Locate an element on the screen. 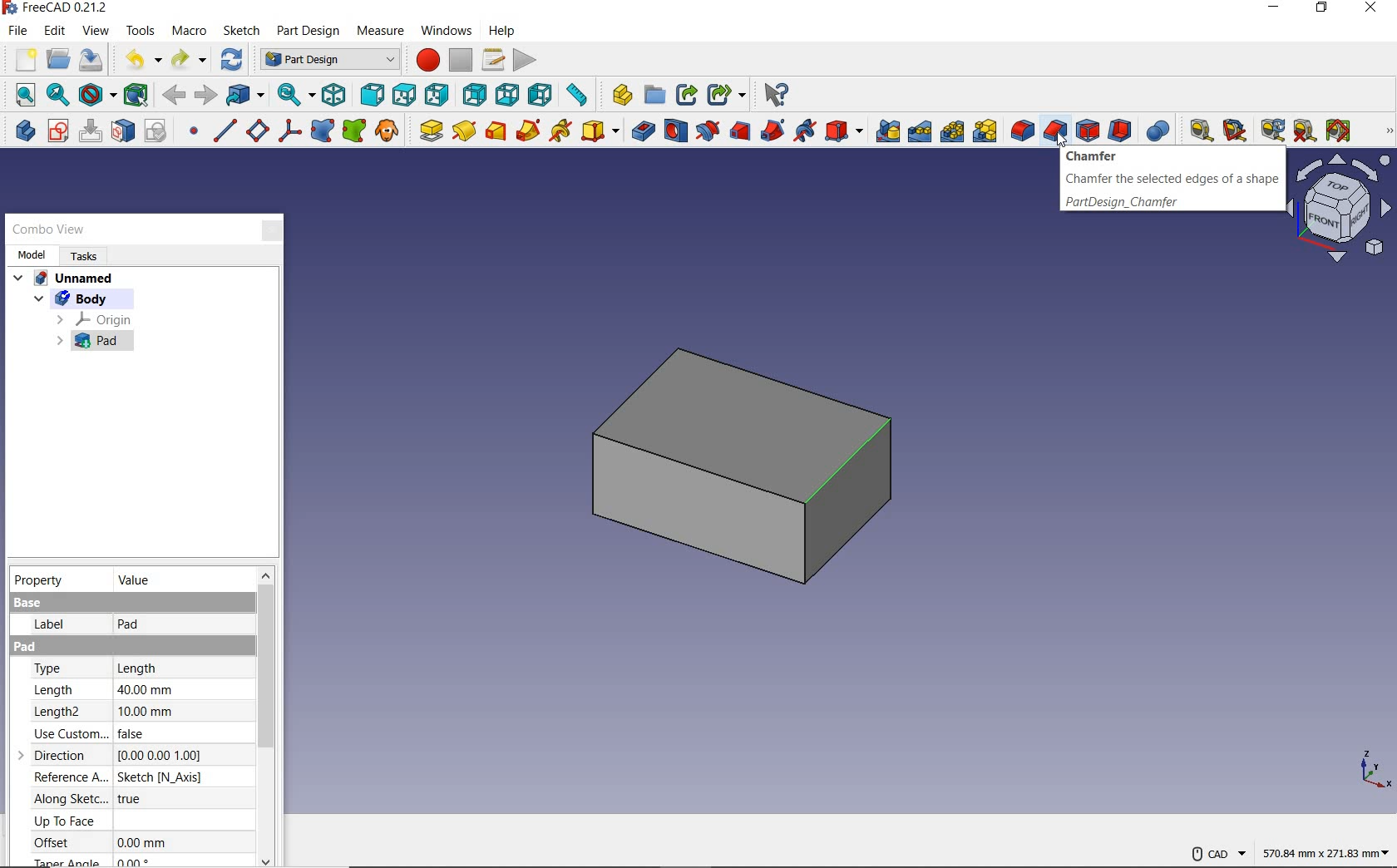 This screenshot has height=868, width=1397. Length is located at coordinates (148, 667).